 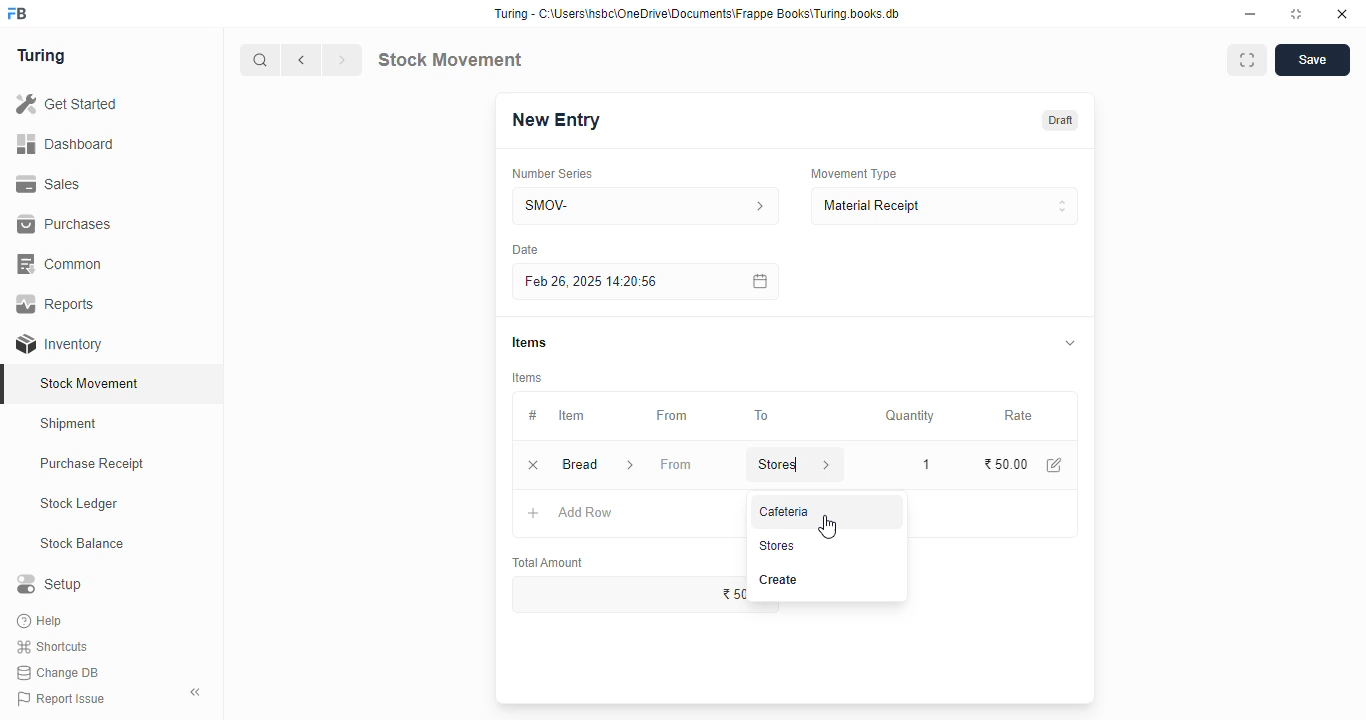 I want to click on purchases, so click(x=64, y=224).